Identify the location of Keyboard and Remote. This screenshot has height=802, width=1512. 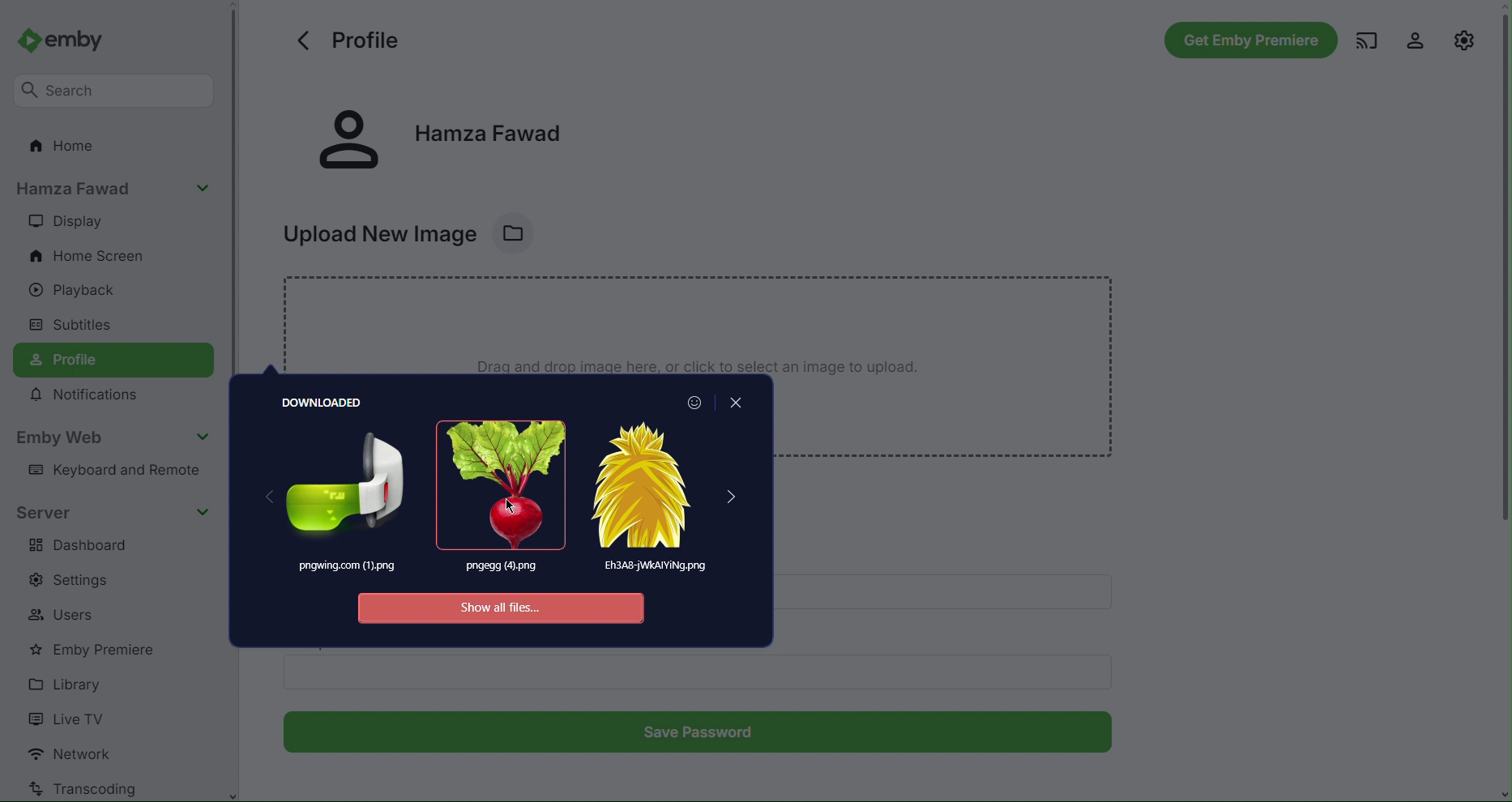
(119, 472).